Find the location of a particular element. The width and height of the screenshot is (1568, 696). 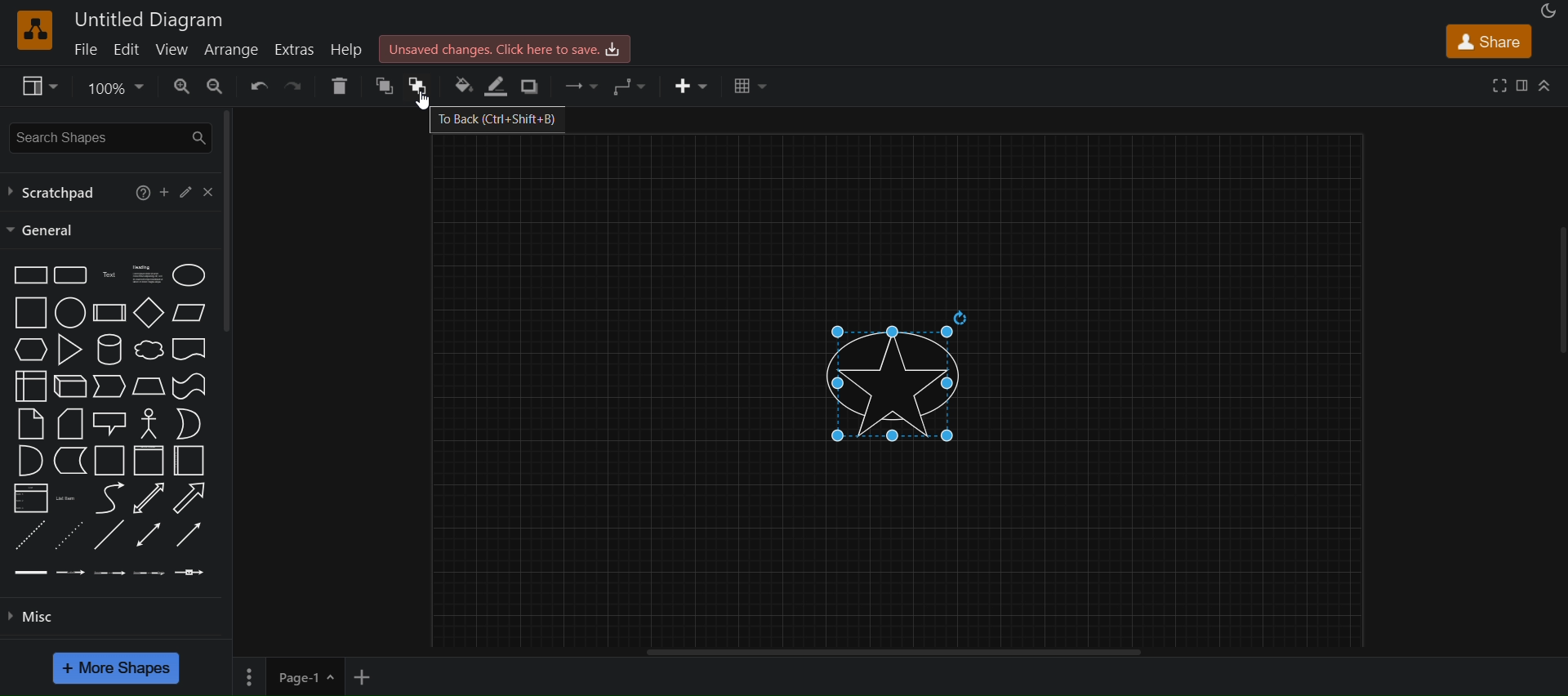

view is located at coordinates (173, 51).